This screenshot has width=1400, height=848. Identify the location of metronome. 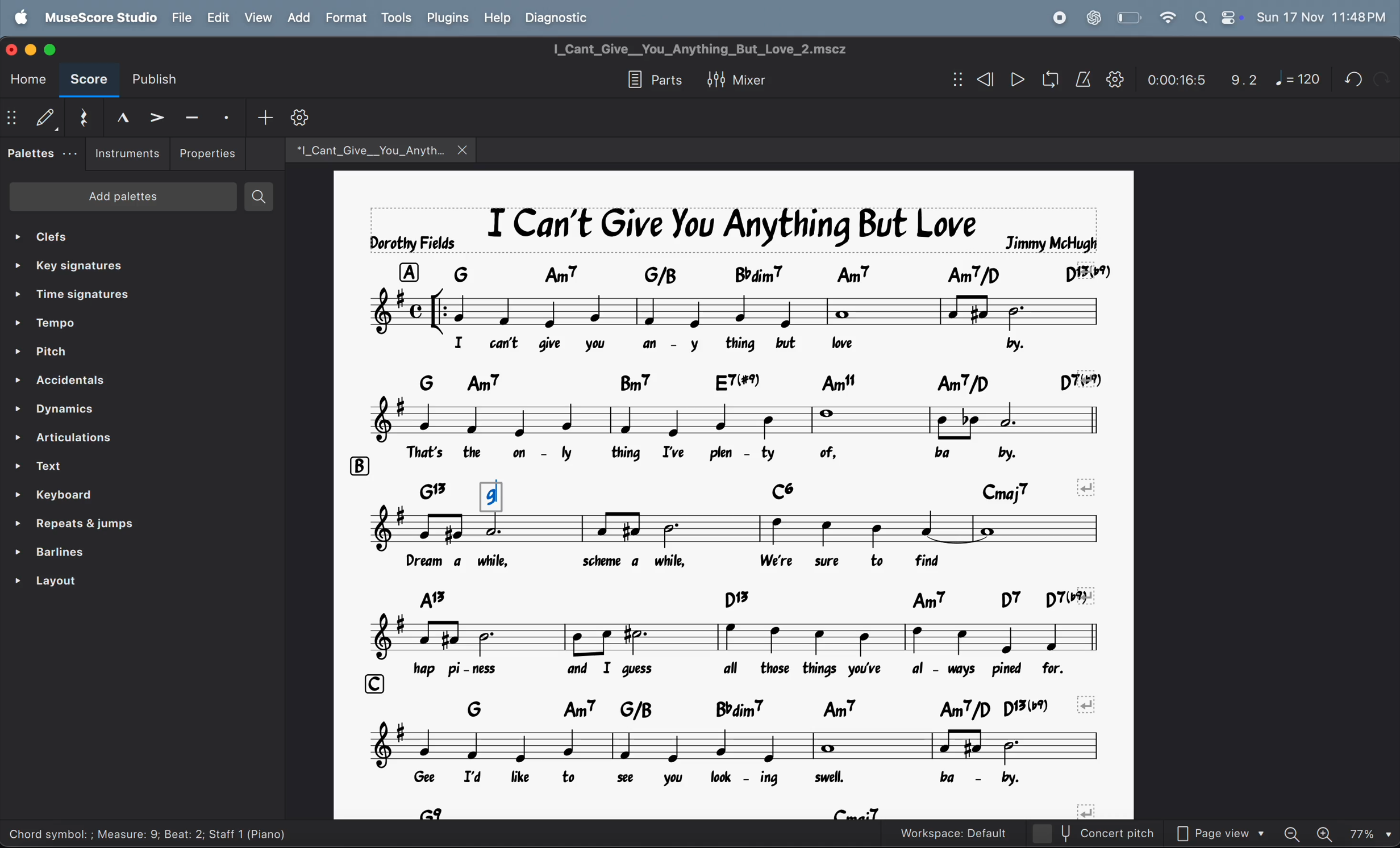
(1080, 81).